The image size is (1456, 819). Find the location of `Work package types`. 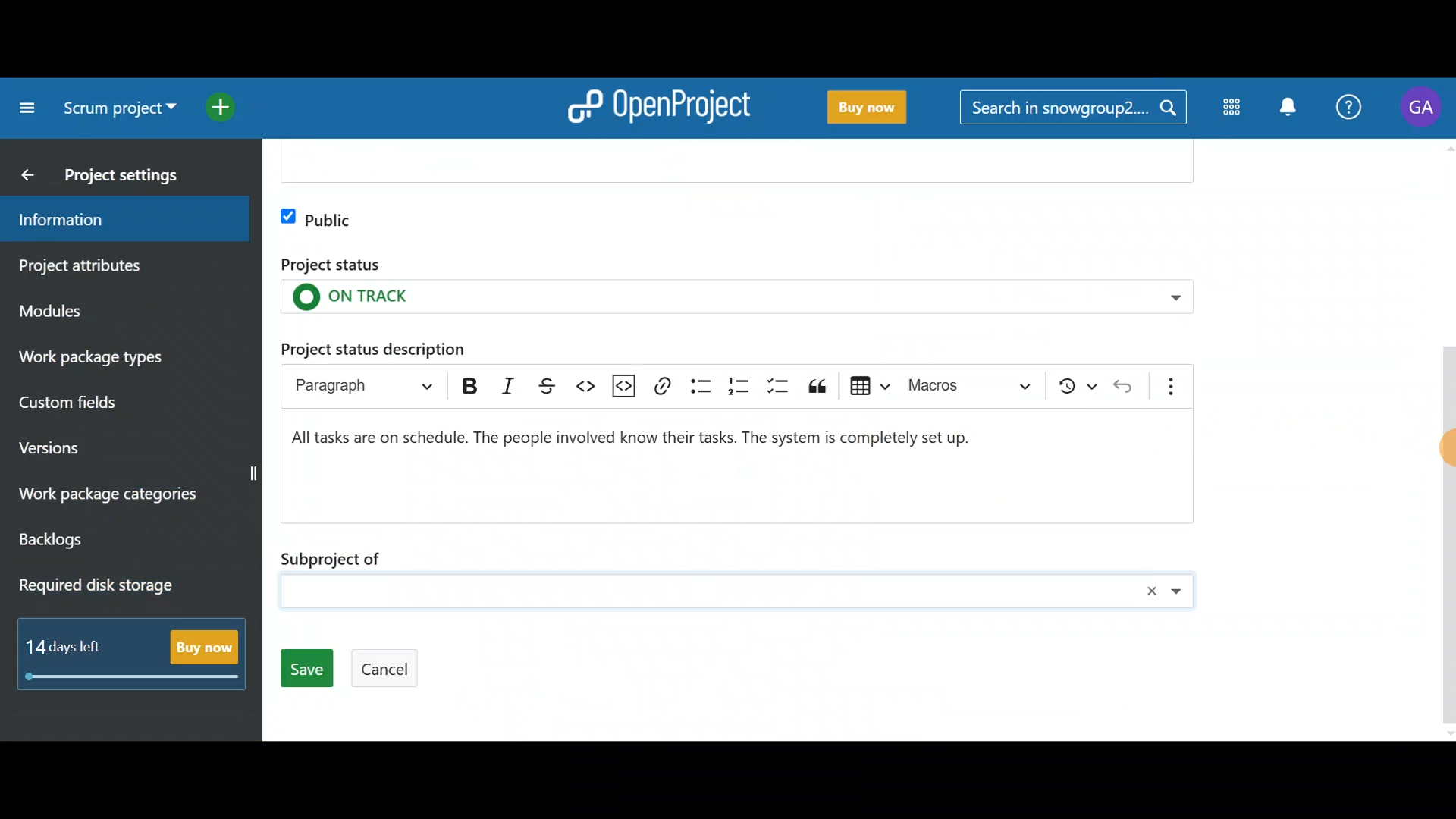

Work package types is located at coordinates (122, 356).